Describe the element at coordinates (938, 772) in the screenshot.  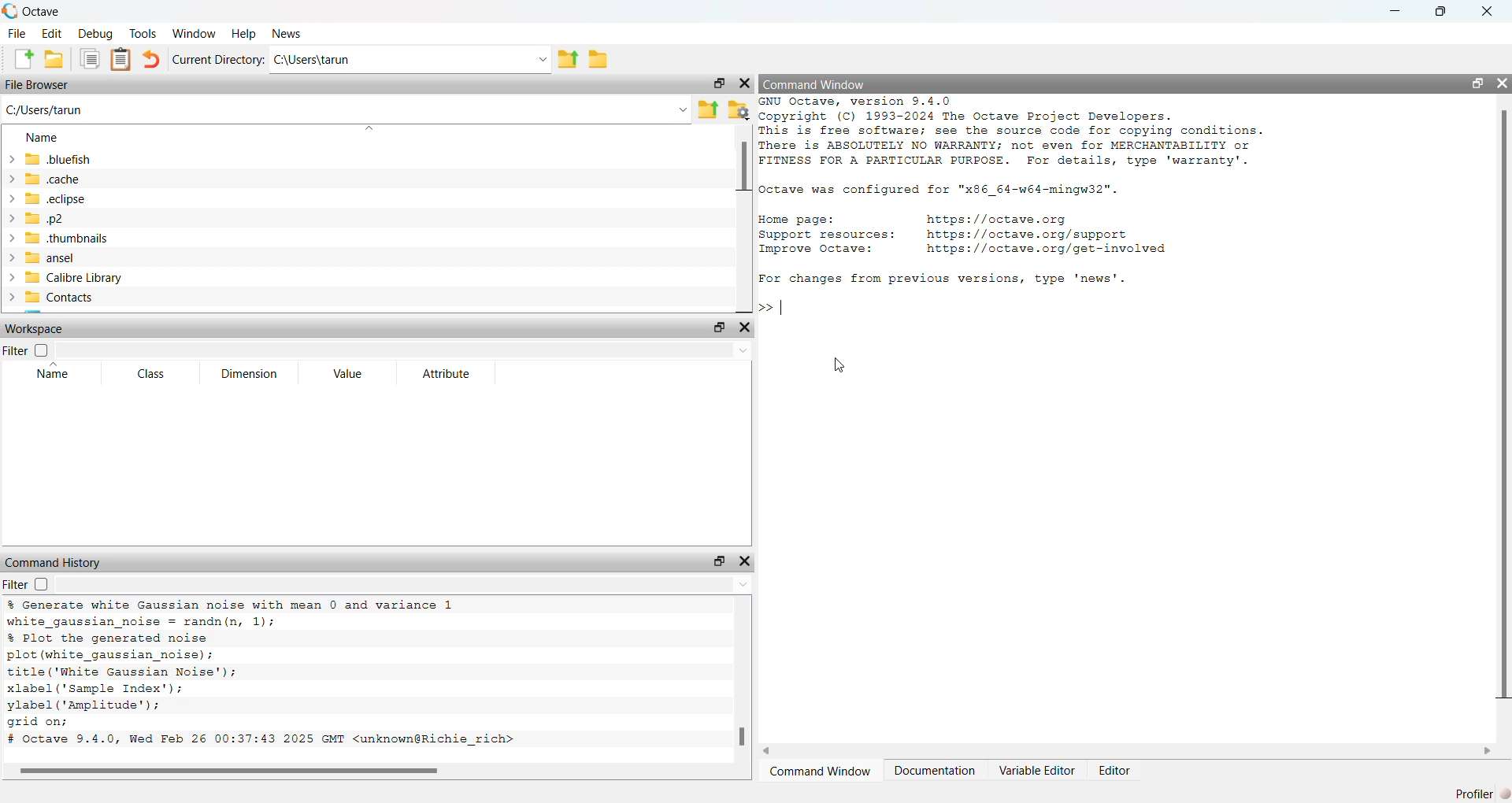
I see `Documentation ` at that location.